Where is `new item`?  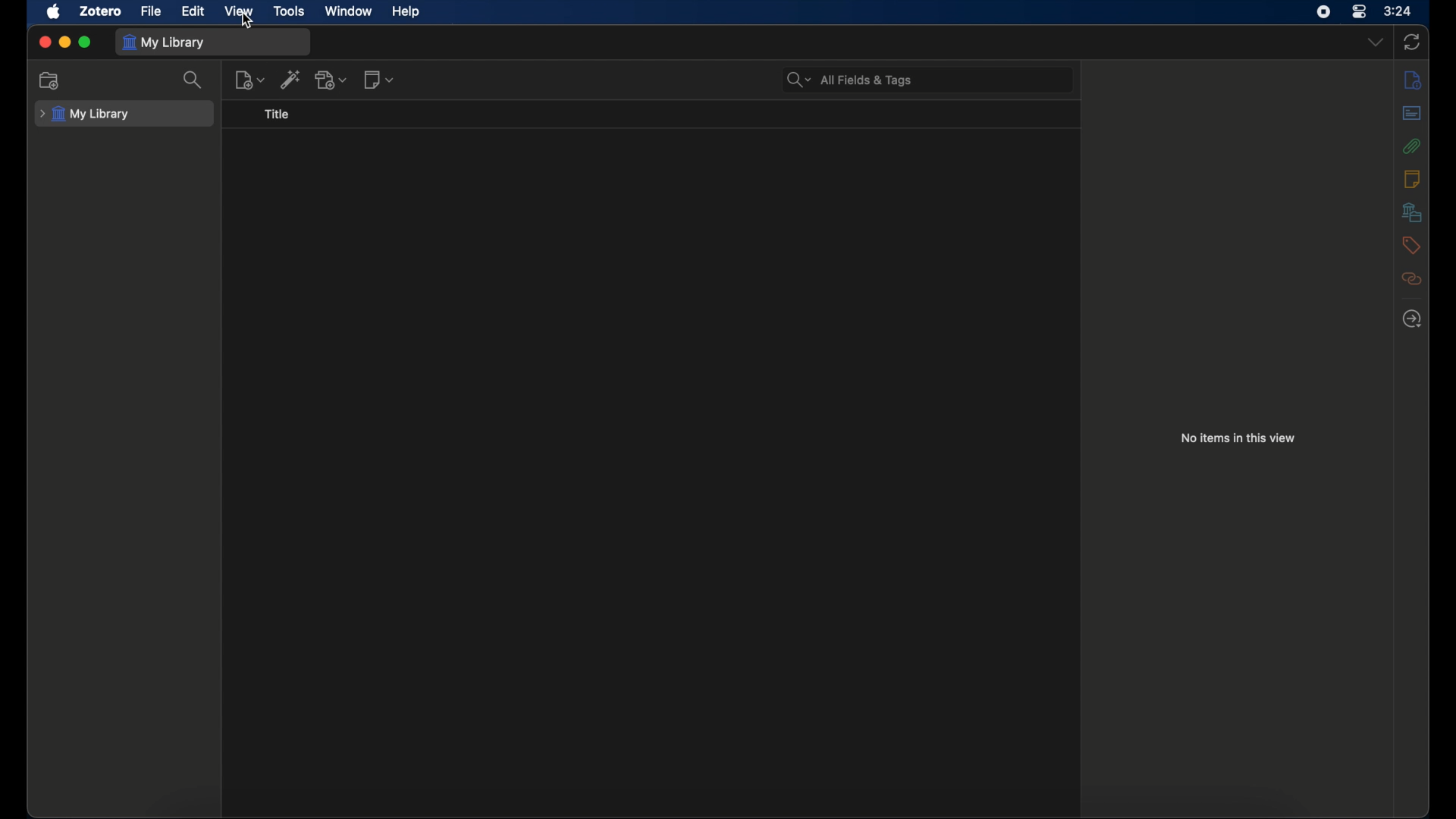 new item is located at coordinates (250, 80).